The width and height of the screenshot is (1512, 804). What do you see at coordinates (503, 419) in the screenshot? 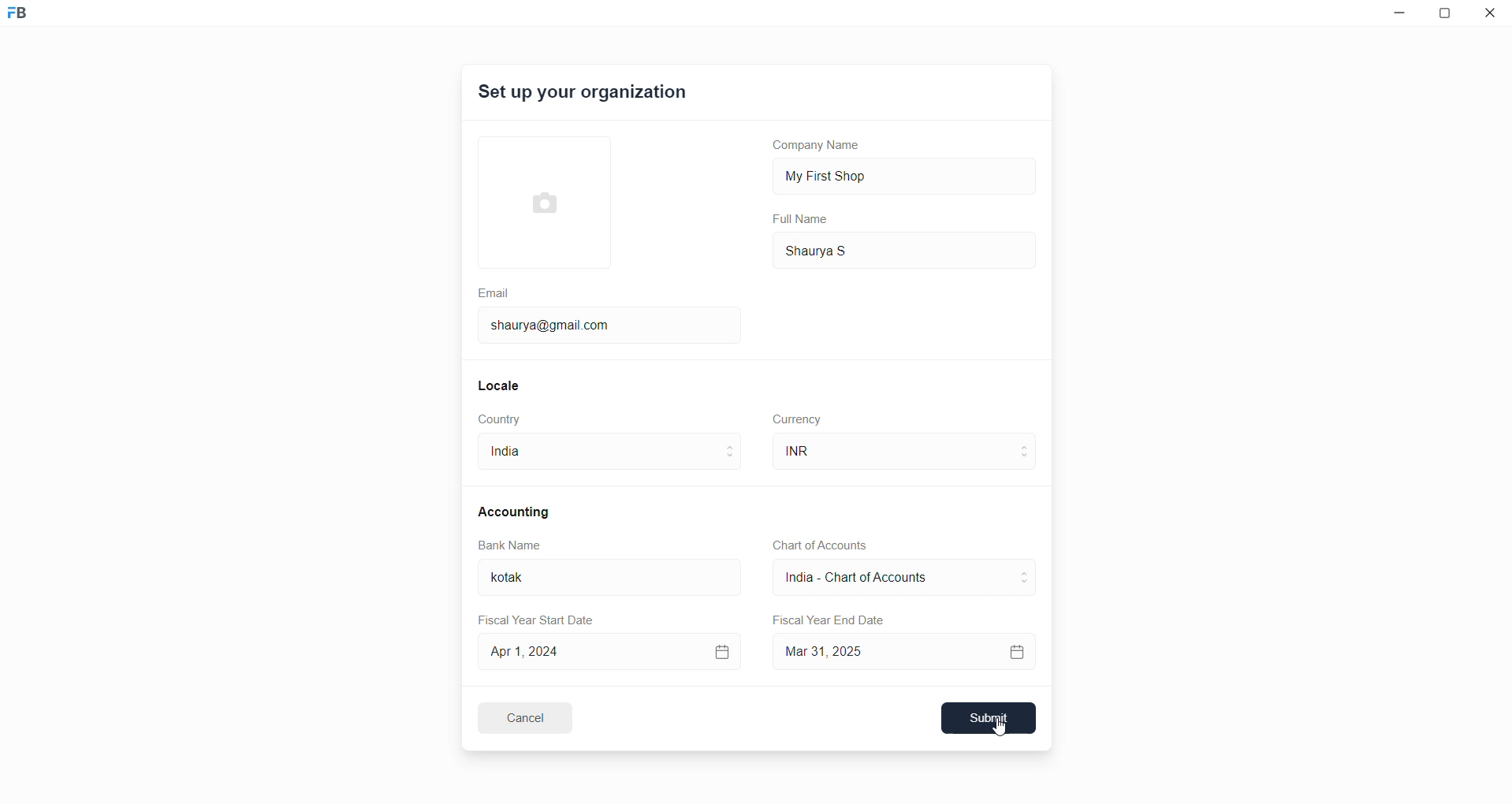
I see `Country` at bounding box center [503, 419].